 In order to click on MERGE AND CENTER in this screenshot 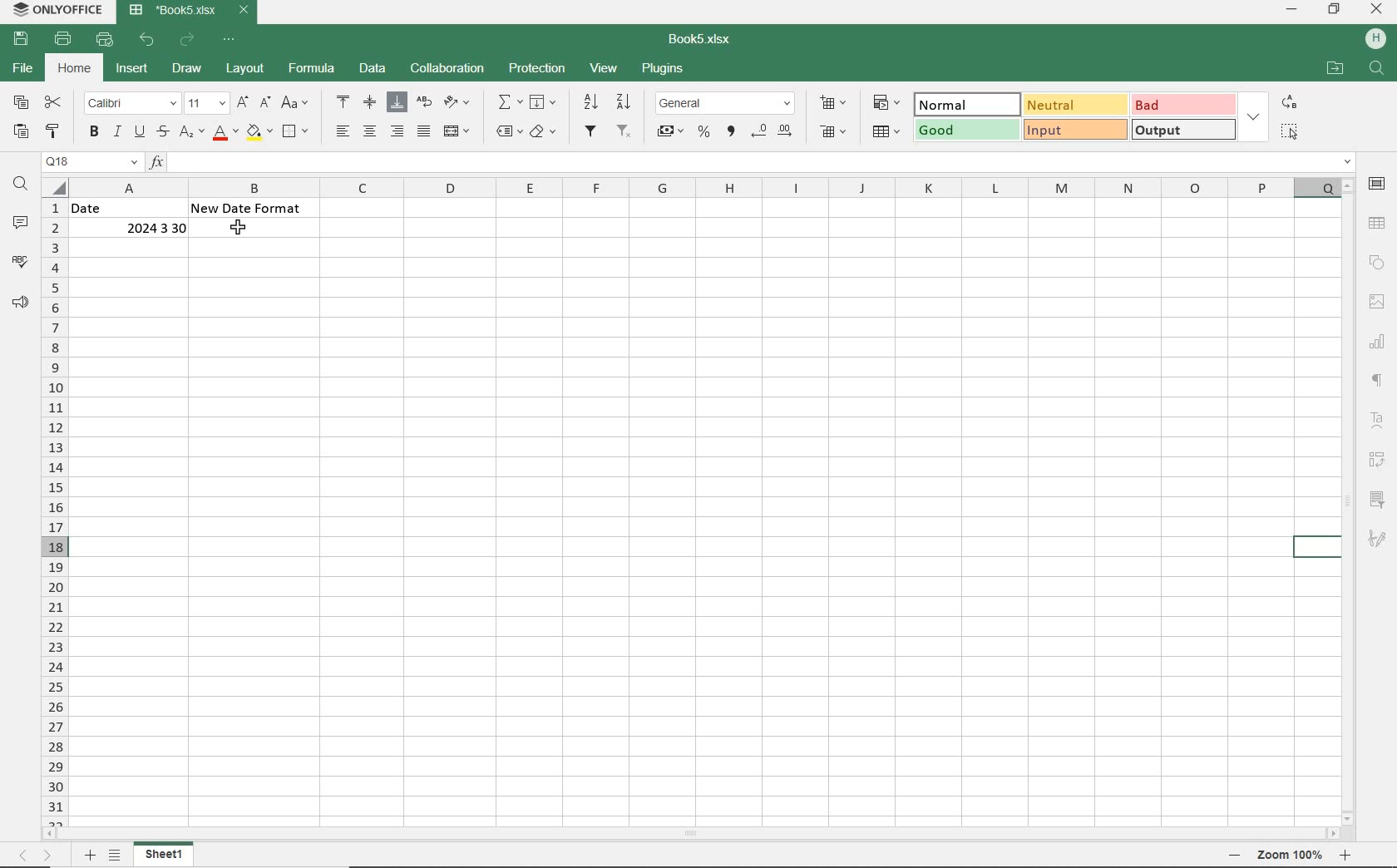, I will do `click(458, 131)`.